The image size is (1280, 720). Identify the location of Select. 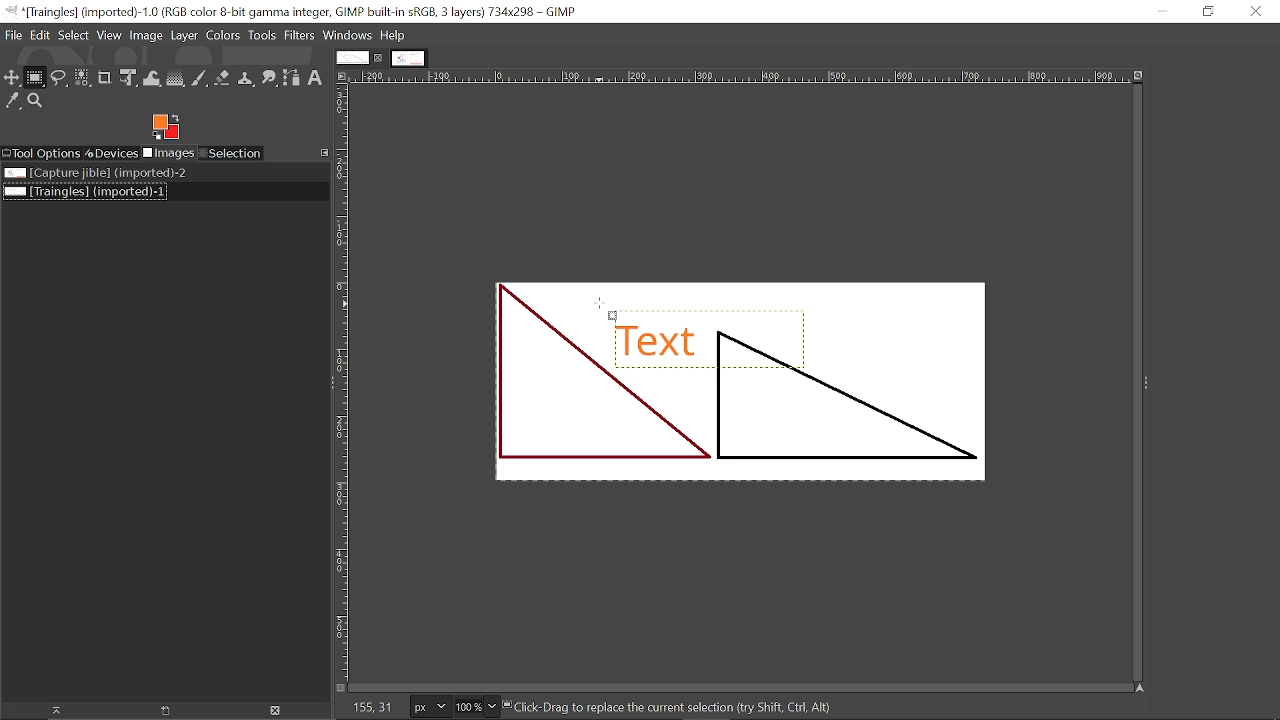
(73, 36).